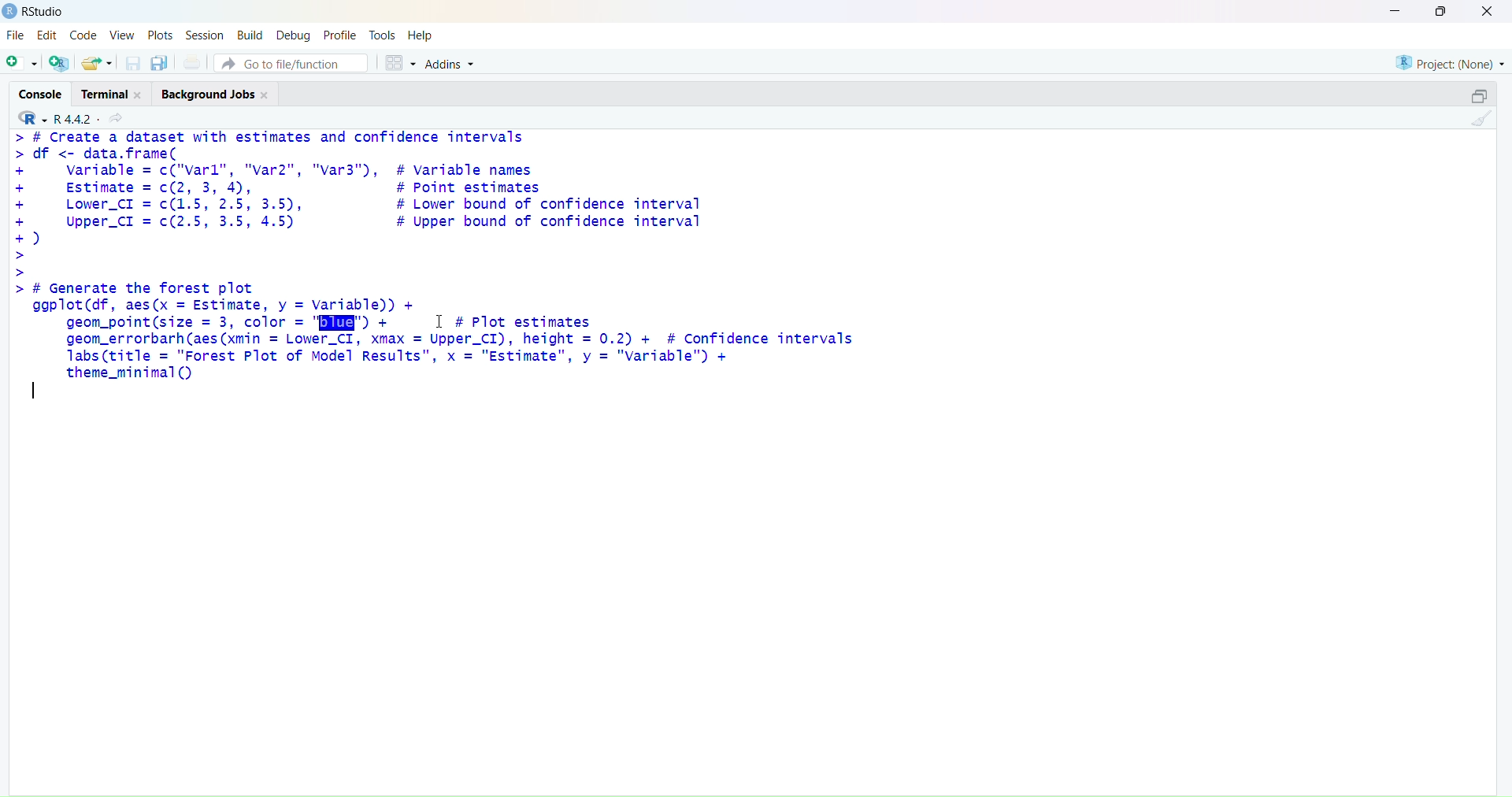 The width and height of the screenshot is (1512, 797). I want to click on Code, so click(82, 35).